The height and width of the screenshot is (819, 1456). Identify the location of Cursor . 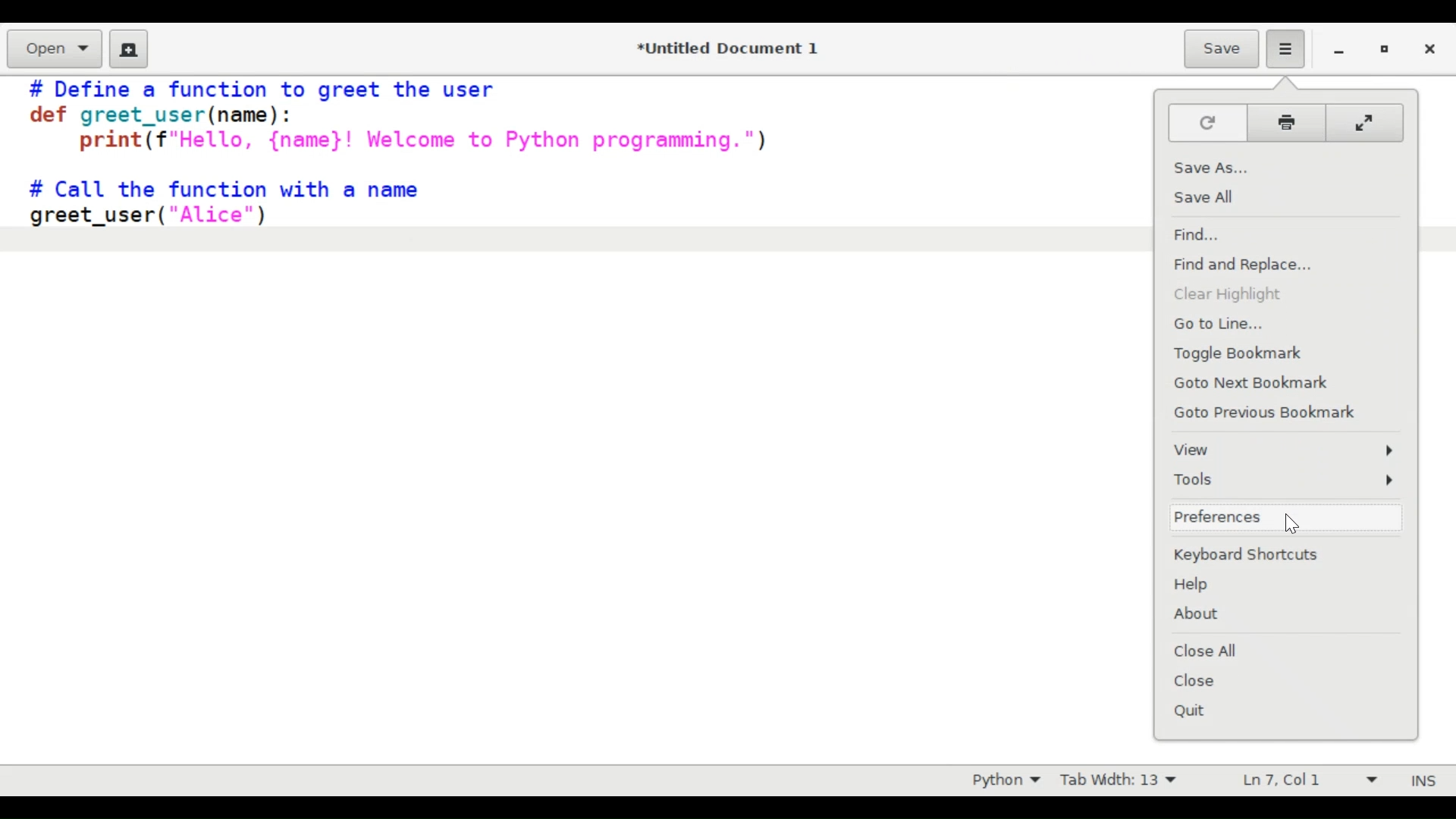
(1295, 523).